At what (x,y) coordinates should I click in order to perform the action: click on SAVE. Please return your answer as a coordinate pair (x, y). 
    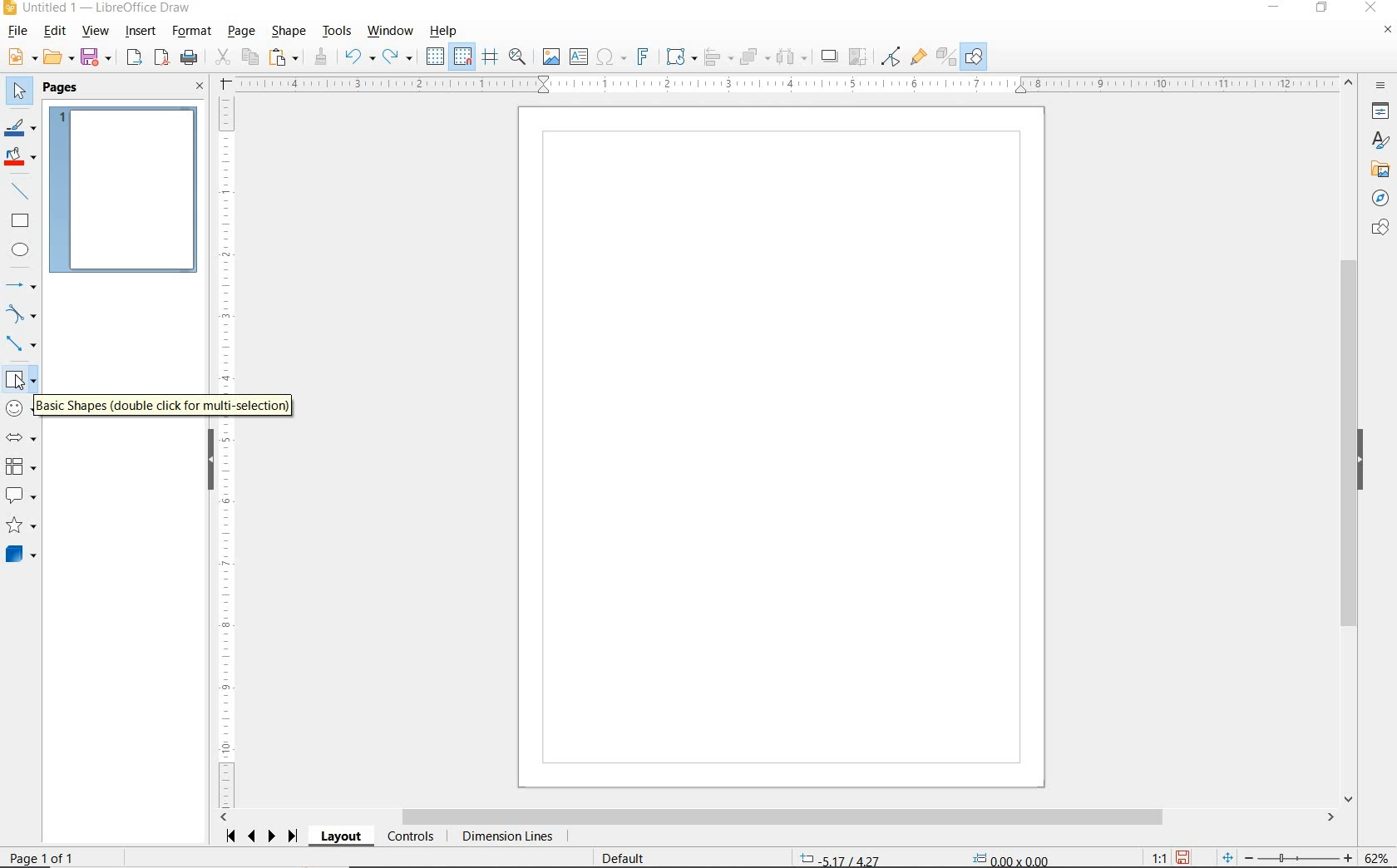
    Looking at the image, I should click on (1190, 852).